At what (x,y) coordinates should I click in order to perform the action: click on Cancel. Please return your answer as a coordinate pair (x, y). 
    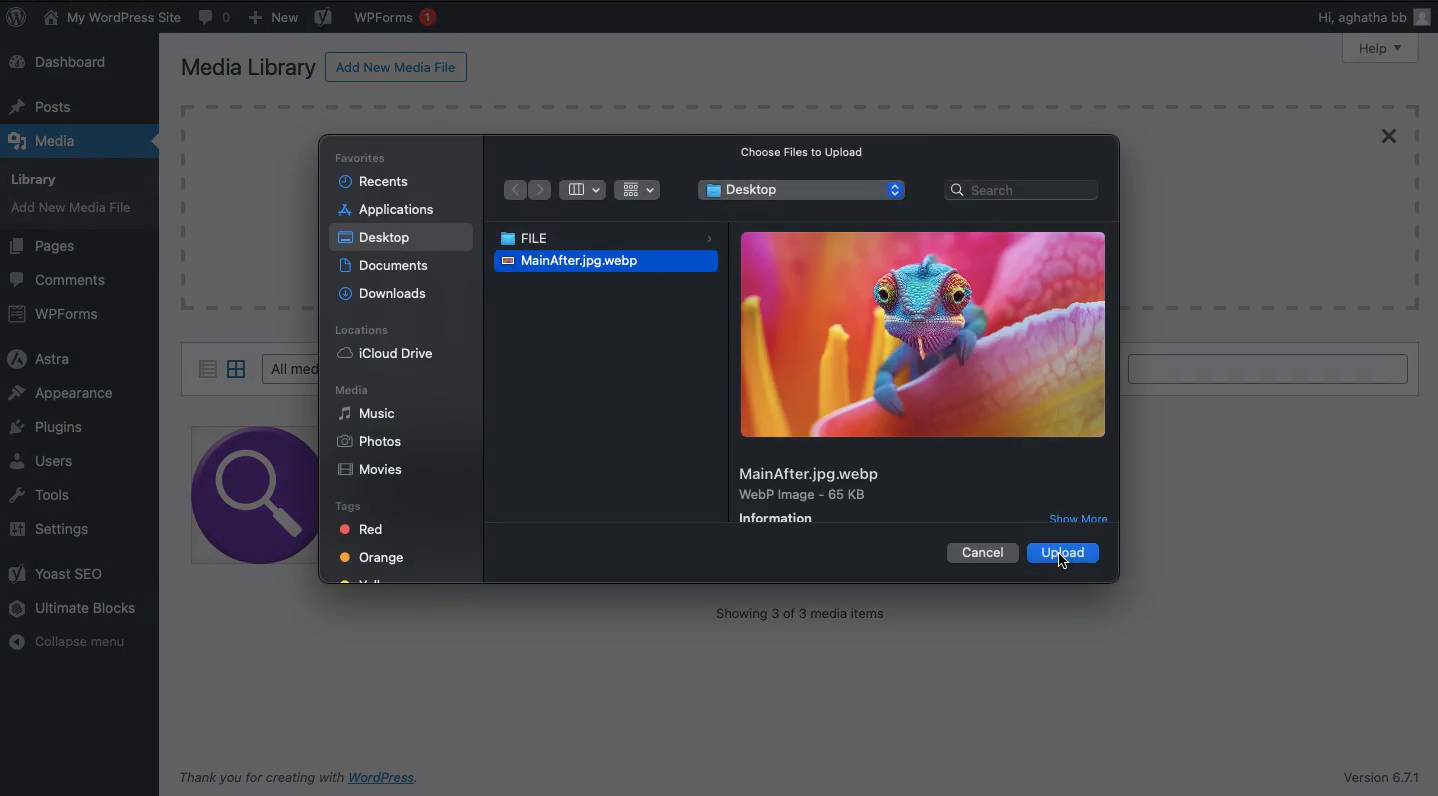
    Looking at the image, I should click on (985, 552).